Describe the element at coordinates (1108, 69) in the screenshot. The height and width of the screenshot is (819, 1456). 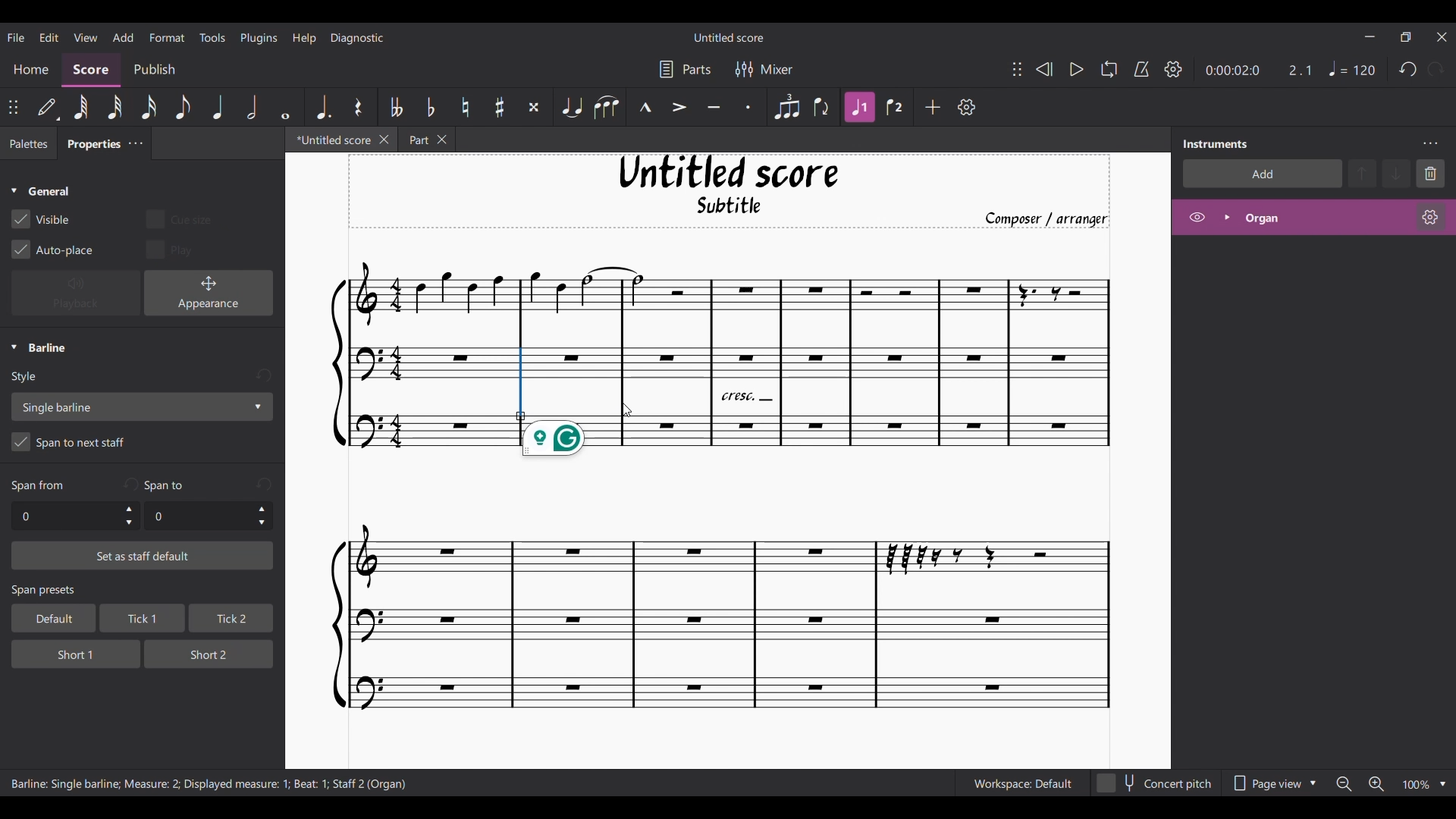
I see `Looping playback` at that location.